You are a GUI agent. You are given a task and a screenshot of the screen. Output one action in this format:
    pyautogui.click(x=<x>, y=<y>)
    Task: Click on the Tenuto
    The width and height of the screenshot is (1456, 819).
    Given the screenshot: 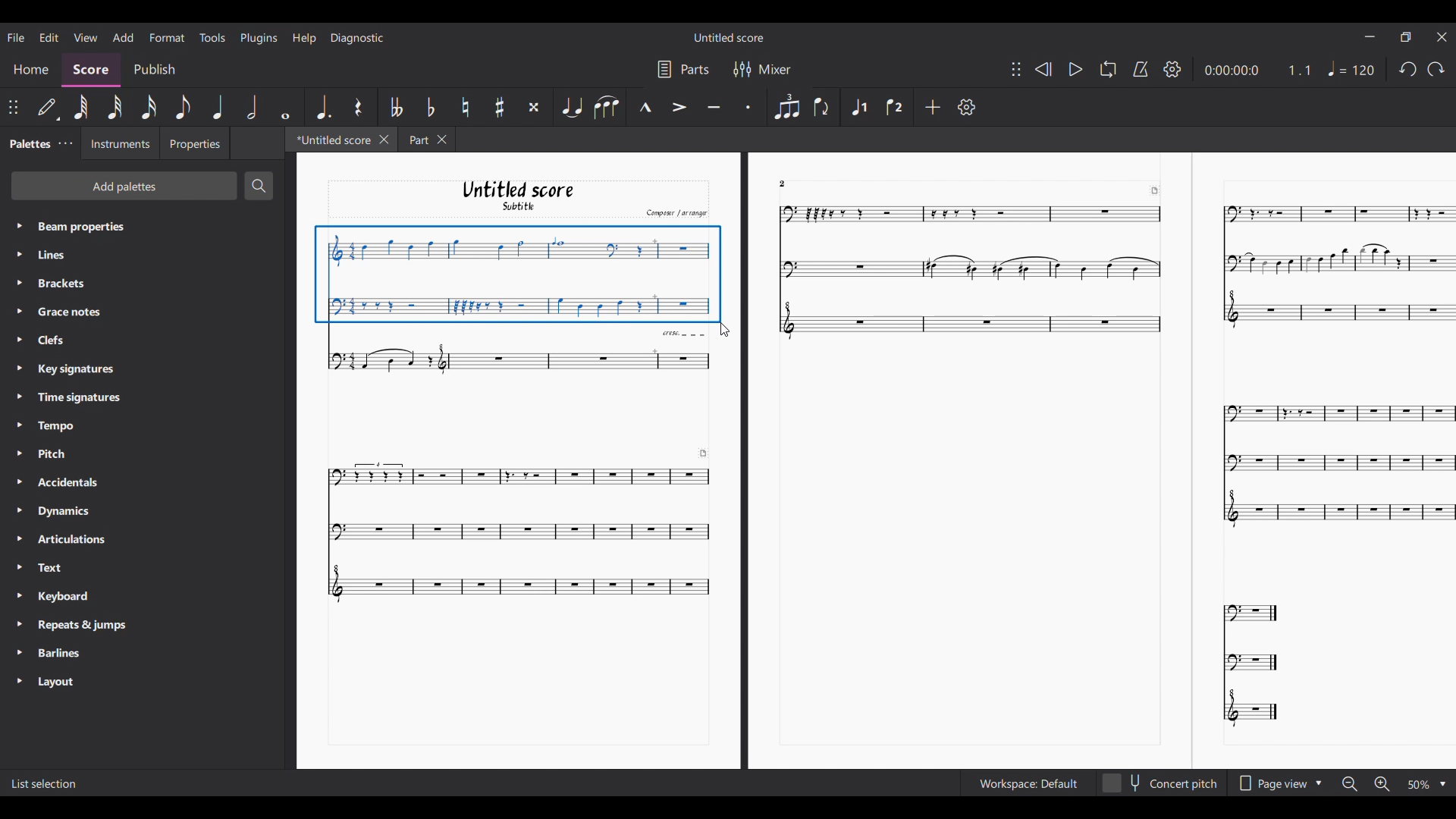 What is the action you would take?
    pyautogui.click(x=713, y=105)
    